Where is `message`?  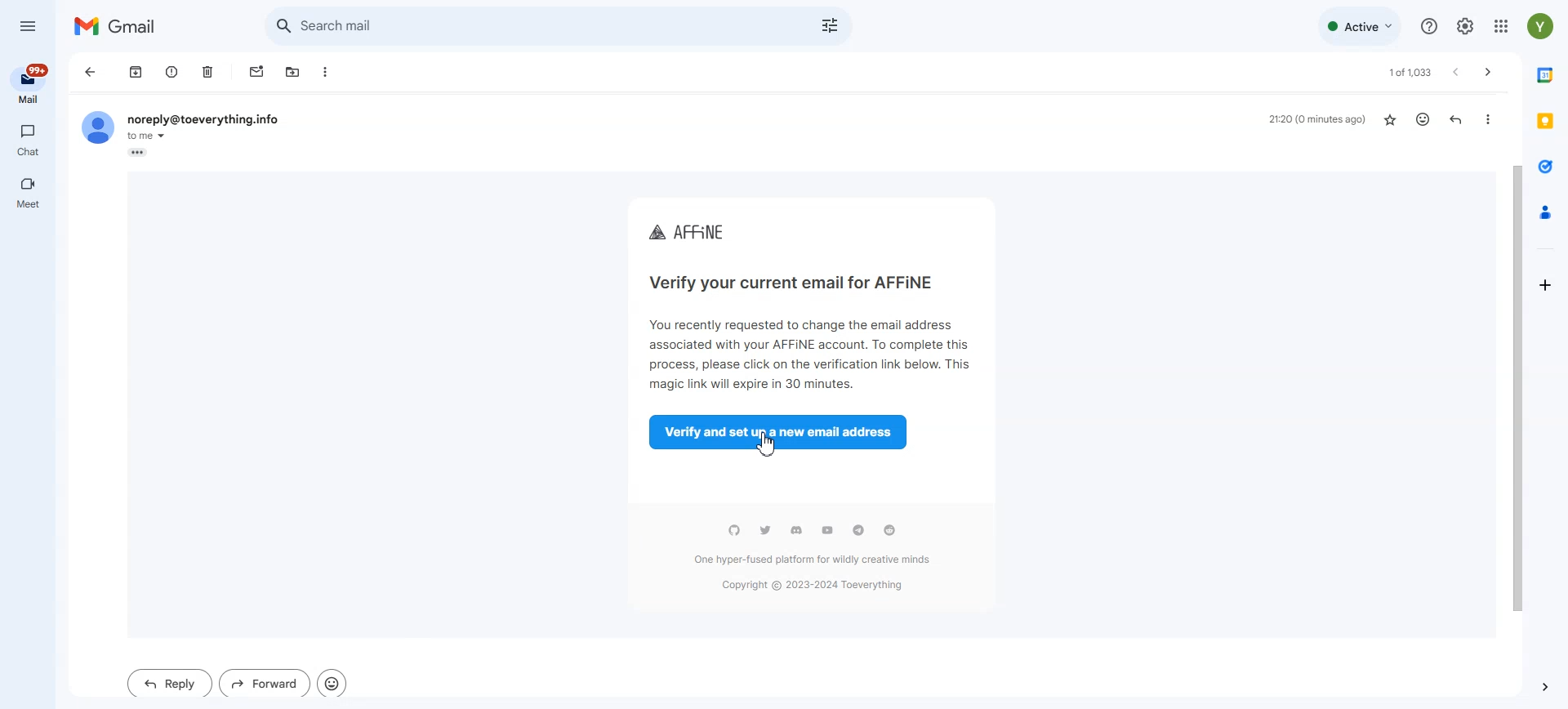 message is located at coordinates (808, 352).